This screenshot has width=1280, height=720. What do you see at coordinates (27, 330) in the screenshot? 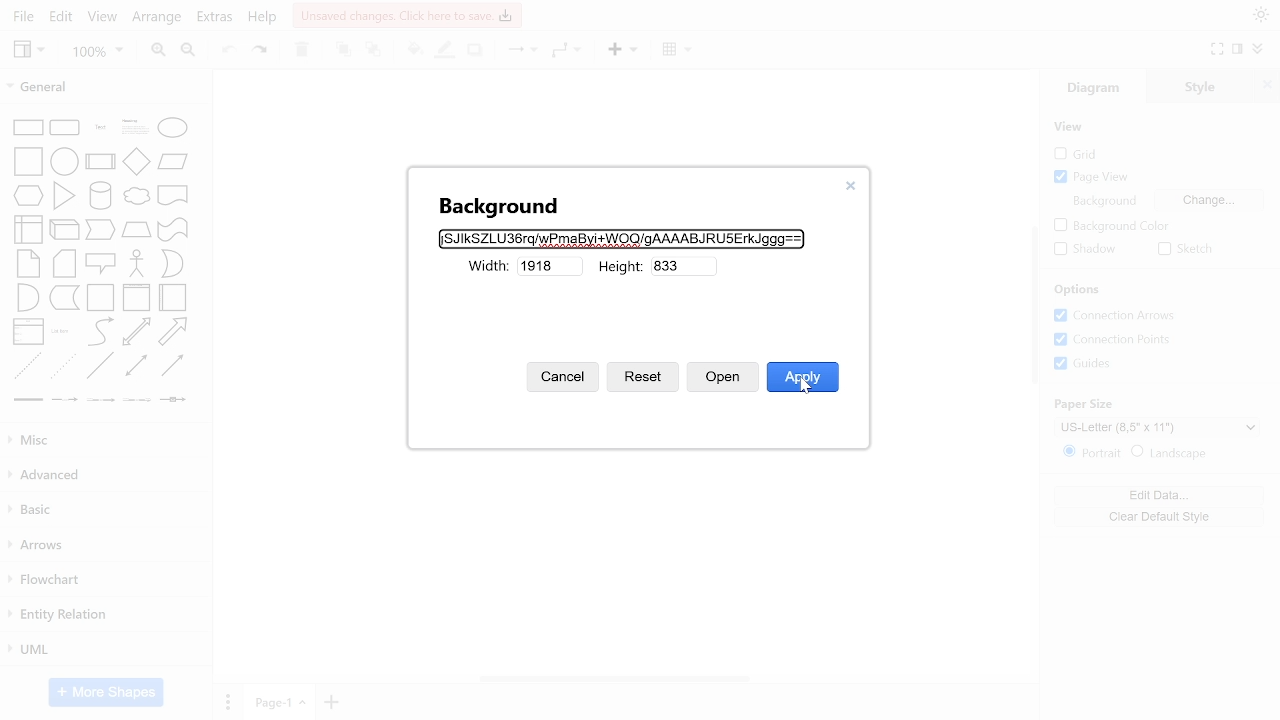
I see `general shapes` at bounding box center [27, 330].